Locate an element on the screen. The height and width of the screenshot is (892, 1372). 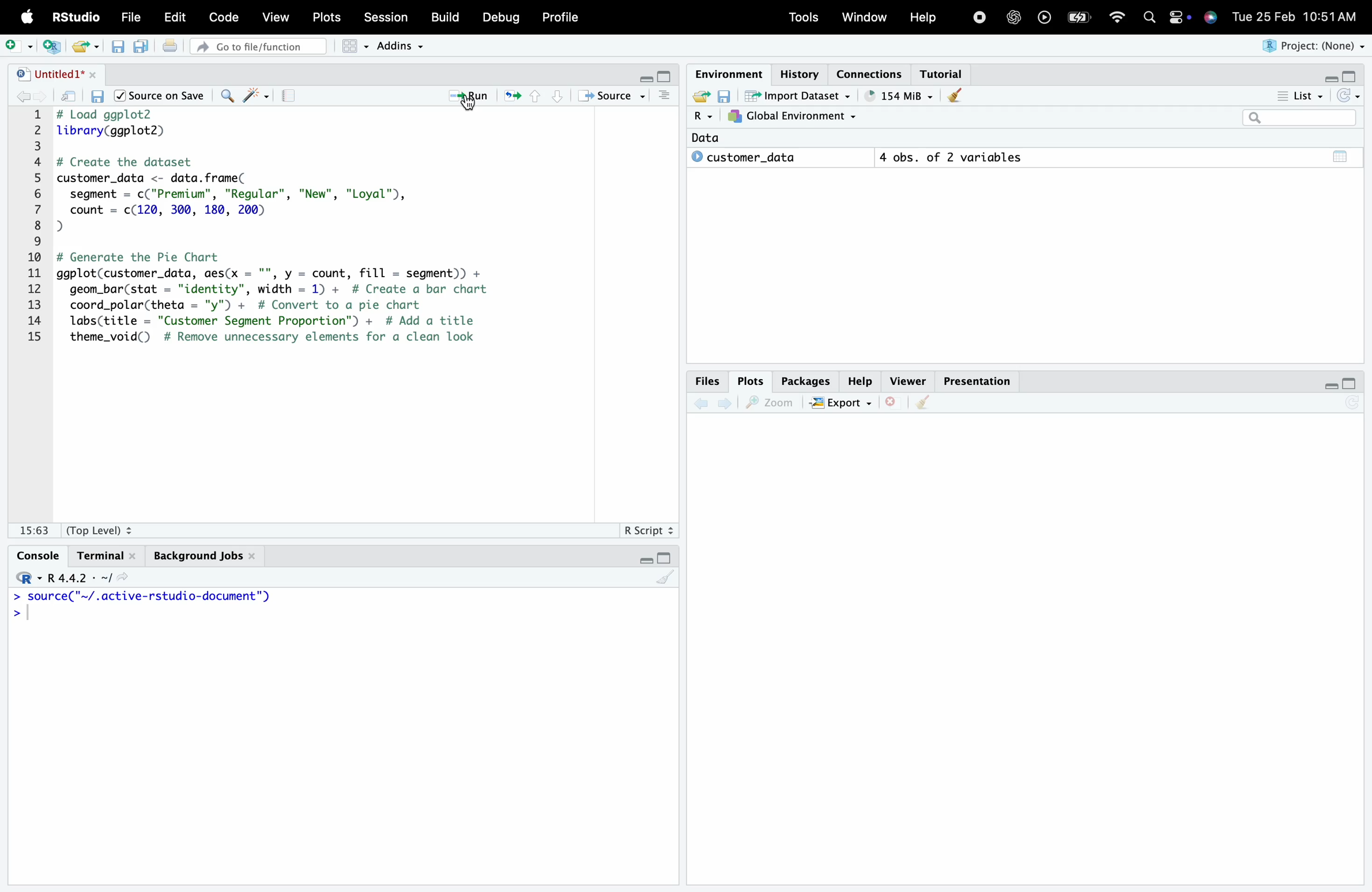
export file is located at coordinates (89, 47).